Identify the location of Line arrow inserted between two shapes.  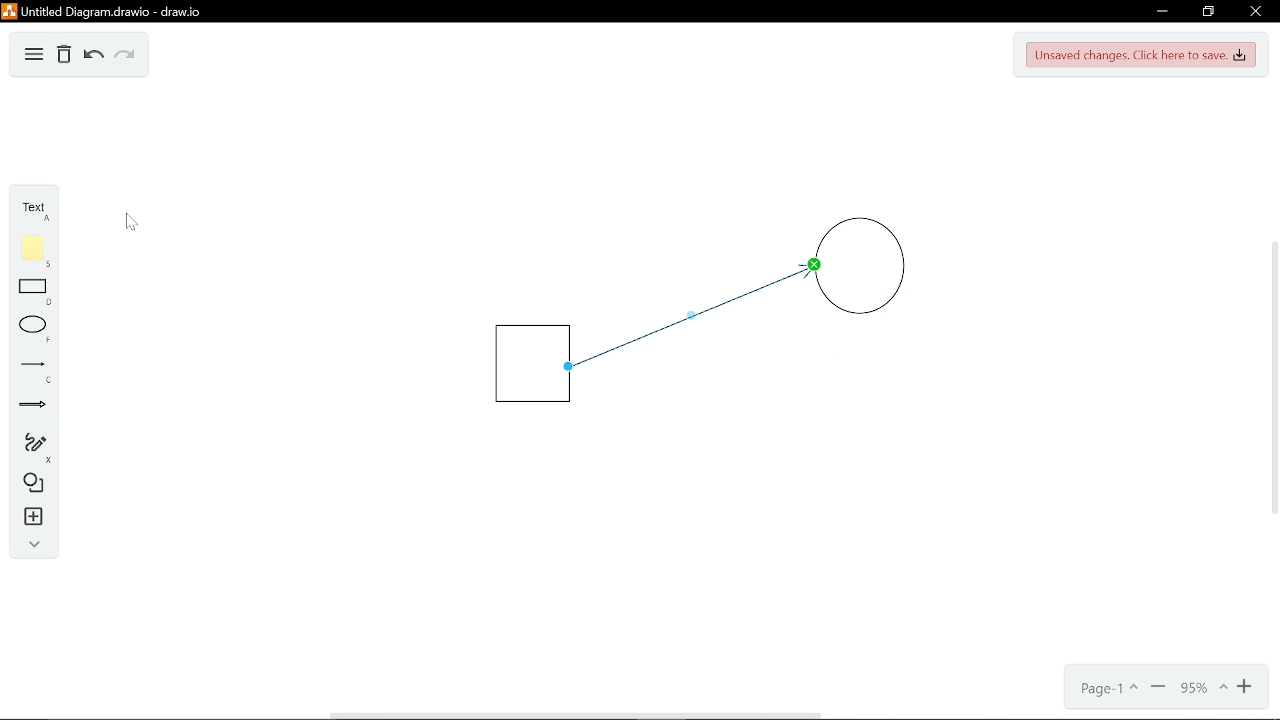
(696, 318).